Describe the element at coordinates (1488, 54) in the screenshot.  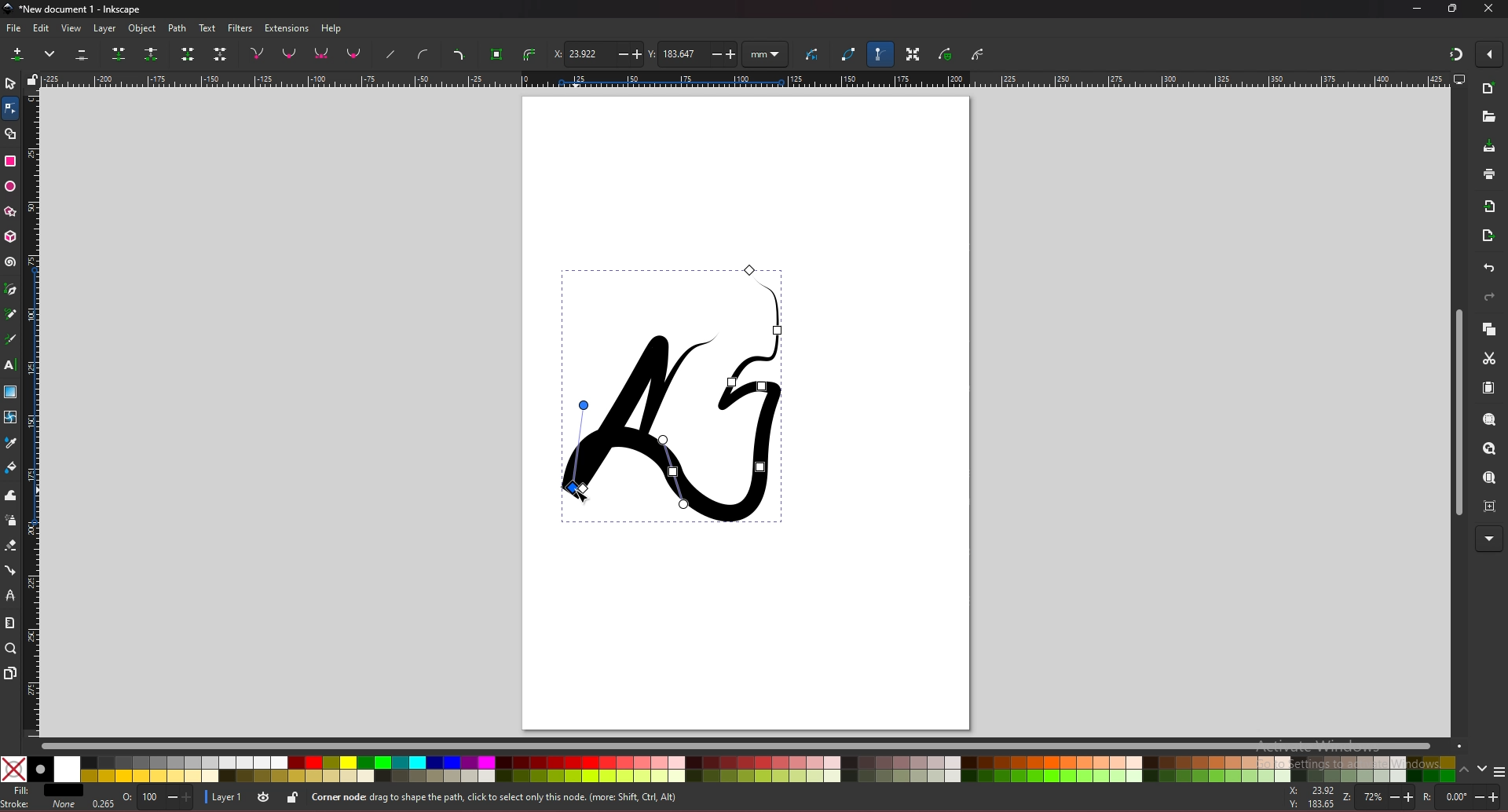
I see `enable snapping` at that location.